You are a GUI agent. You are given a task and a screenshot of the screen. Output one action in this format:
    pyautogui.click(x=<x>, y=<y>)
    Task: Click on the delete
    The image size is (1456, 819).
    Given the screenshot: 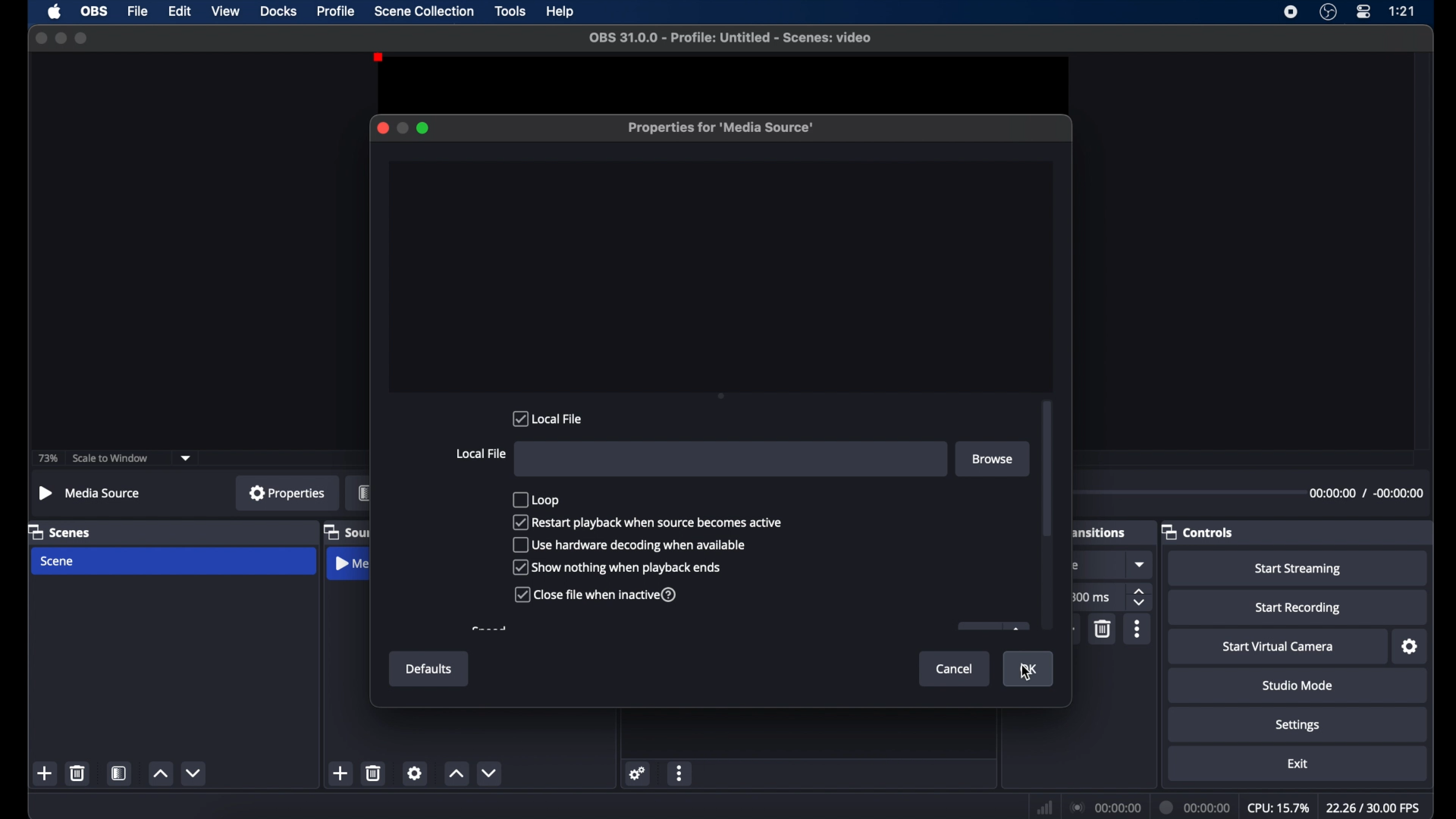 What is the action you would take?
    pyautogui.click(x=1103, y=629)
    